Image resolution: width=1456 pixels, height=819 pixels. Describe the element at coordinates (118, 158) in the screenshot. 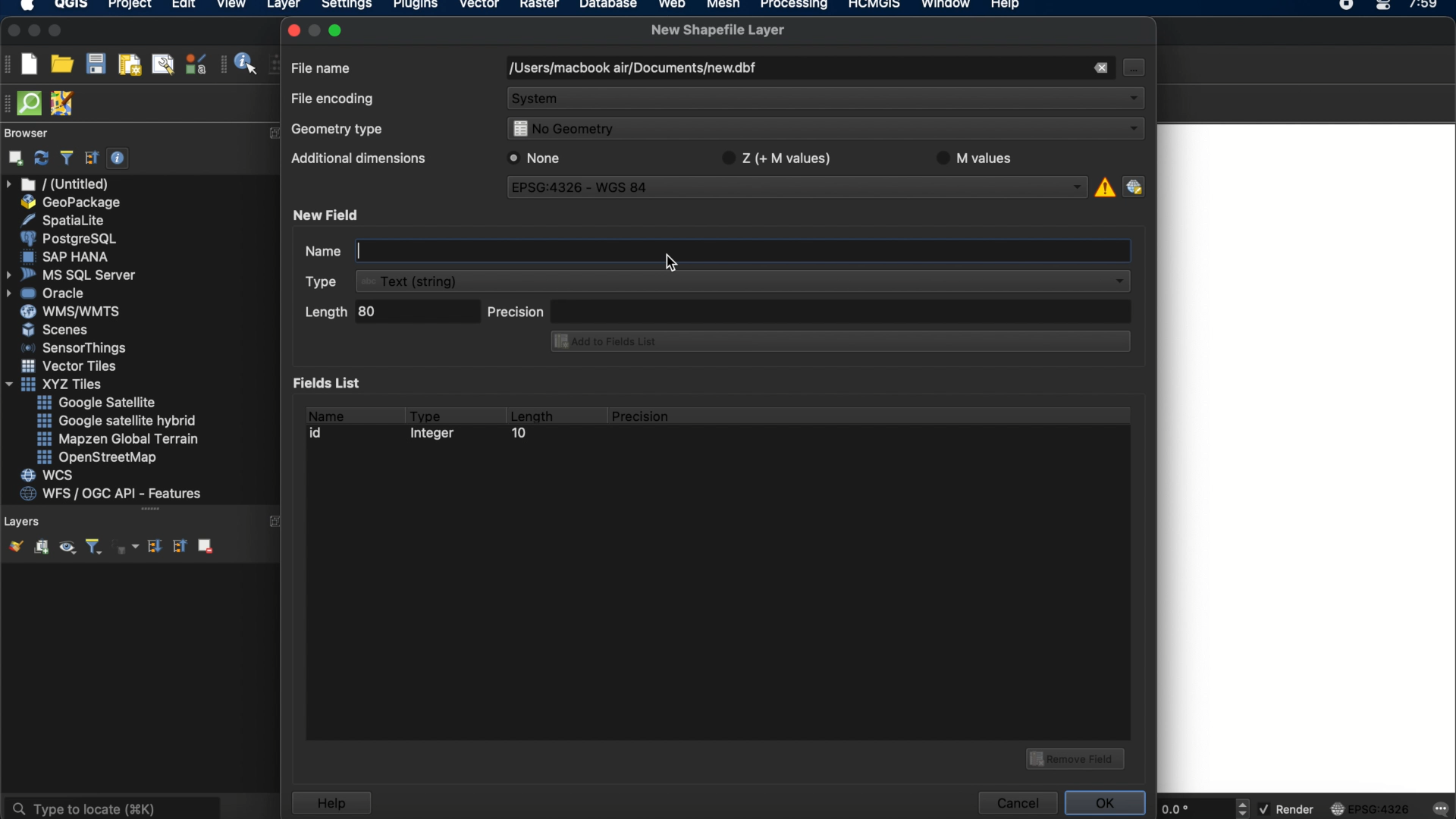

I see `enable/disable properties widget` at that location.